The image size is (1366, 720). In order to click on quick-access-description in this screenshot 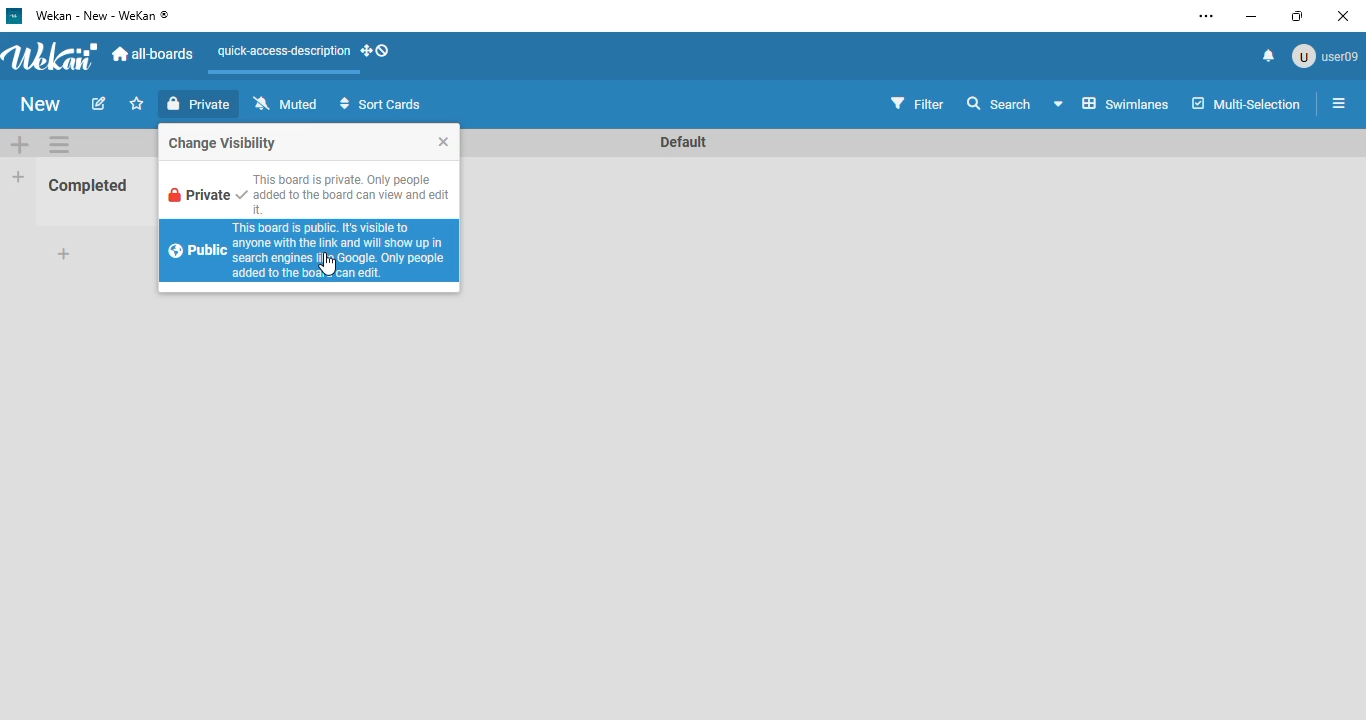, I will do `click(284, 51)`.